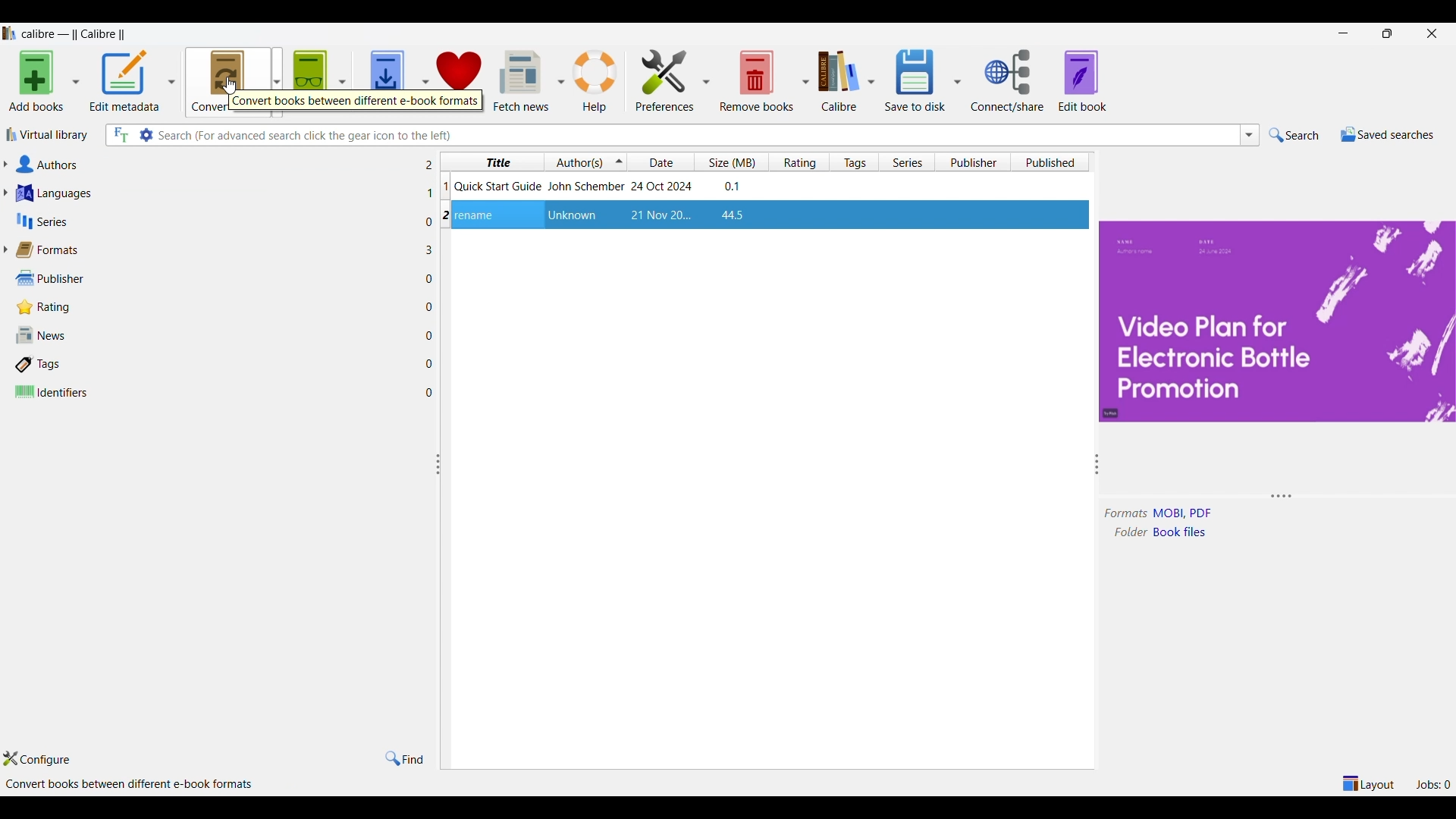 The height and width of the screenshot is (819, 1456). Describe the element at coordinates (229, 86) in the screenshot. I see `cursor` at that location.